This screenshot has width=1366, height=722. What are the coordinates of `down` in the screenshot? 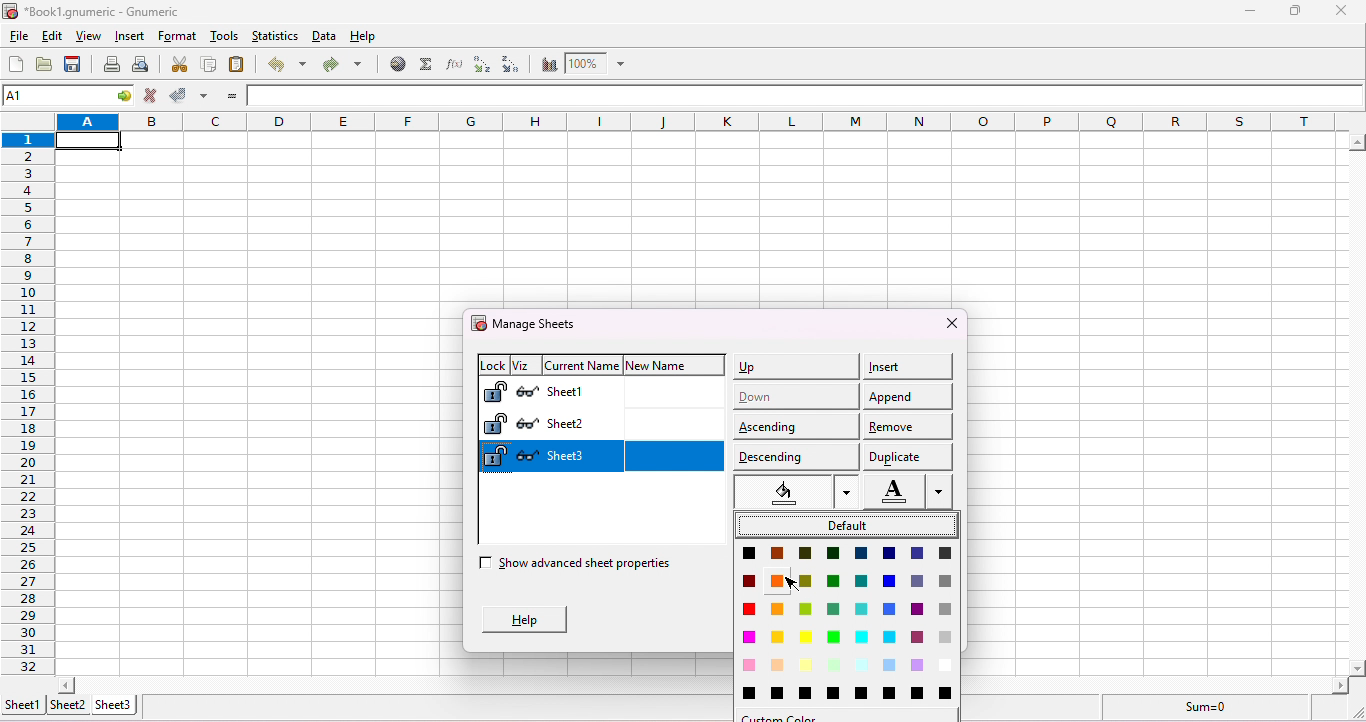 It's located at (794, 393).